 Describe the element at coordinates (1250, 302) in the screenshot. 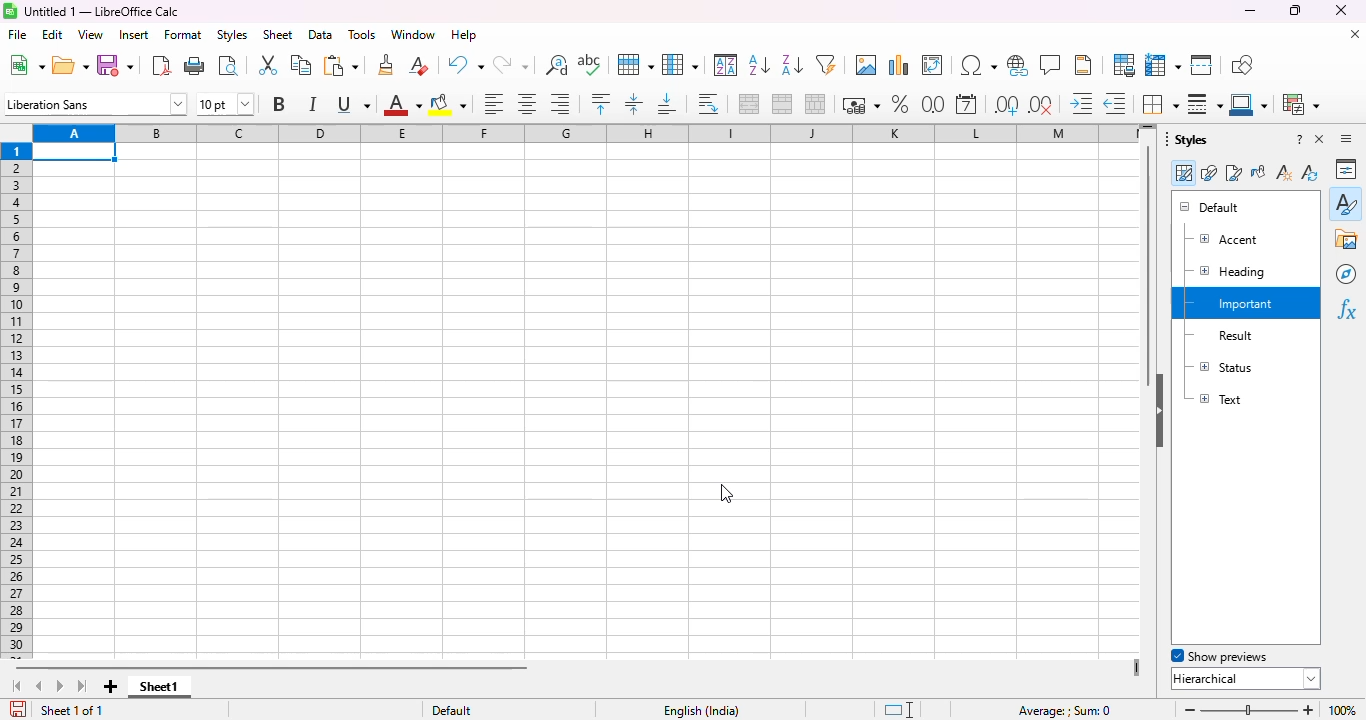

I see `Custom cell style "Important" created` at that location.